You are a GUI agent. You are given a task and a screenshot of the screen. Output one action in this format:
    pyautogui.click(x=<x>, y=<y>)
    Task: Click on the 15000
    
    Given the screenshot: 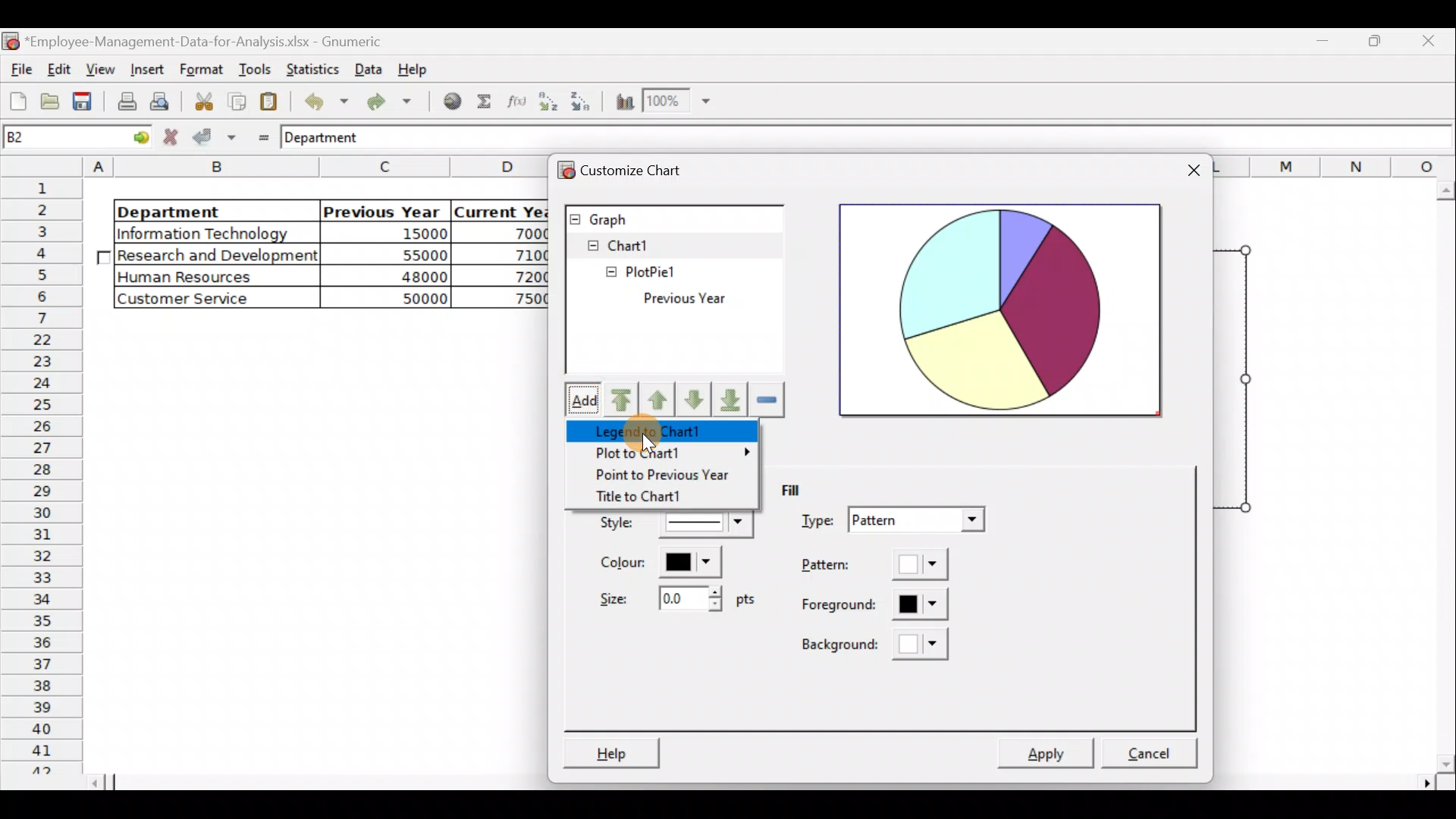 What is the action you would take?
    pyautogui.click(x=397, y=236)
    